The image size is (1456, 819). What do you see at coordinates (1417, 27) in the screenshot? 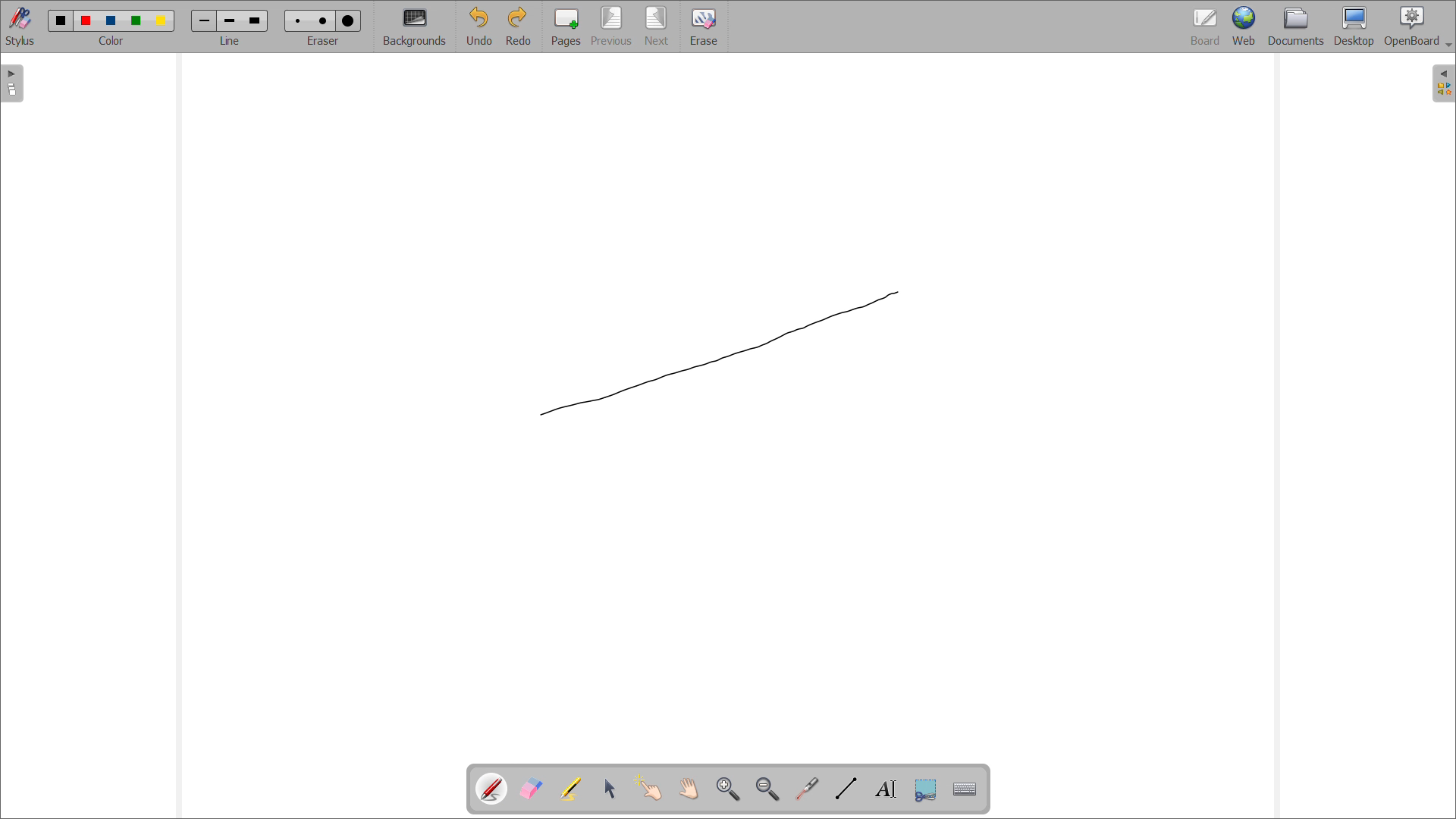
I see `openboard settings` at bounding box center [1417, 27].